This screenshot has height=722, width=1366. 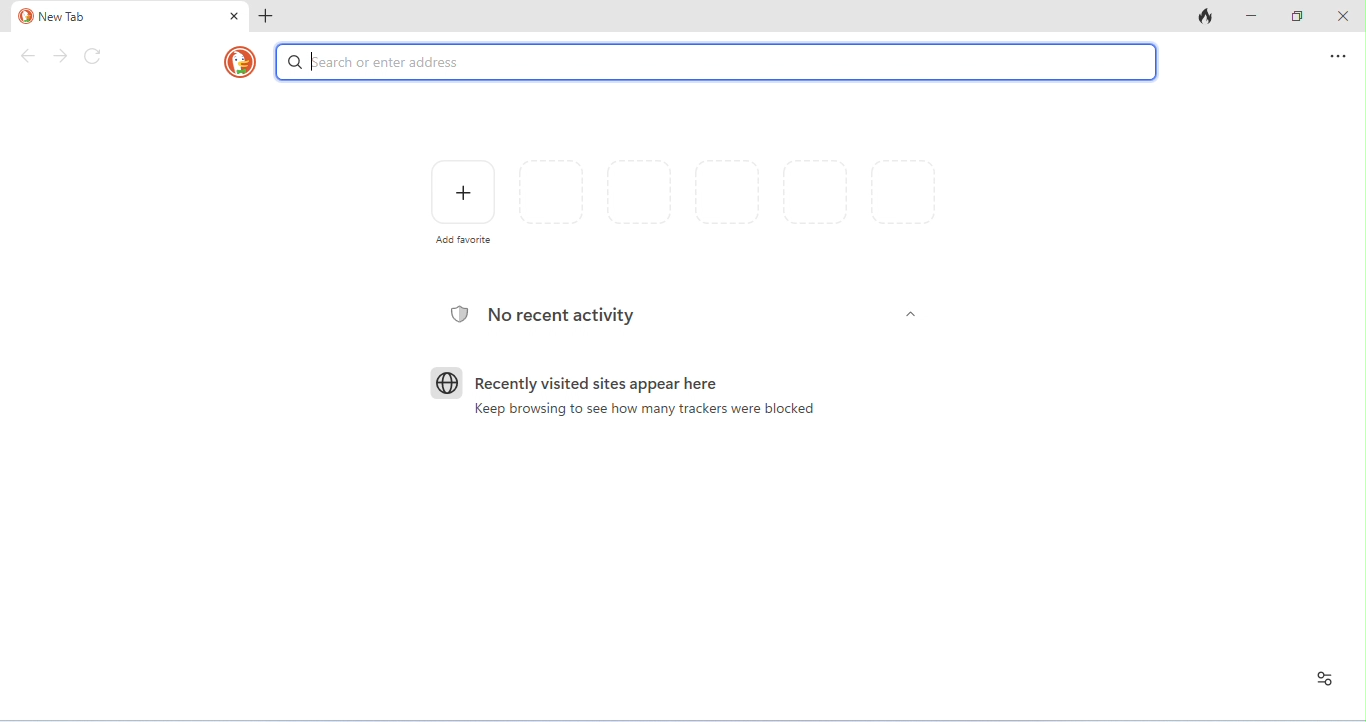 I want to click on close tabs and clear data, so click(x=1206, y=15).